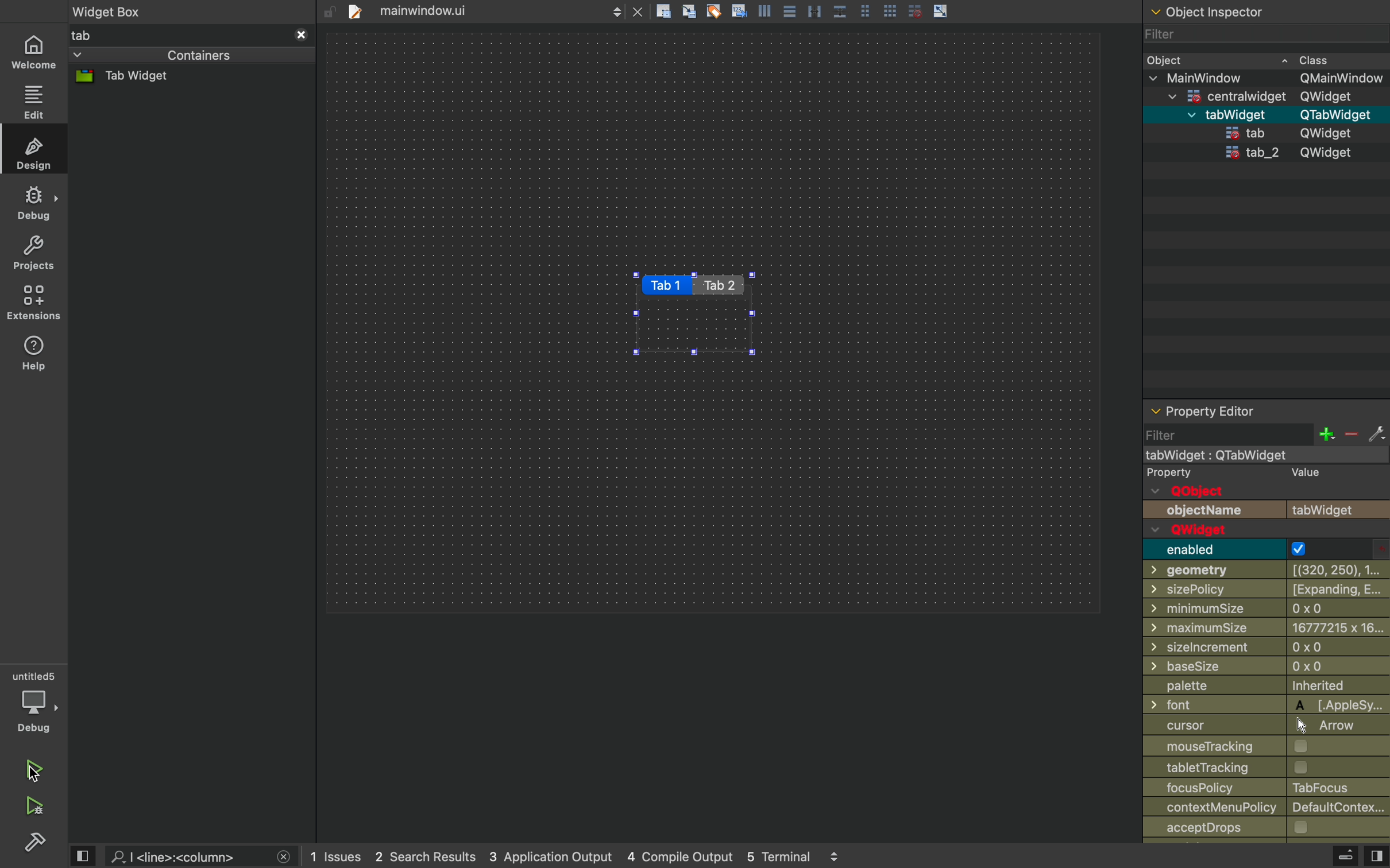  I want to click on object inspector, so click(1262, 10).